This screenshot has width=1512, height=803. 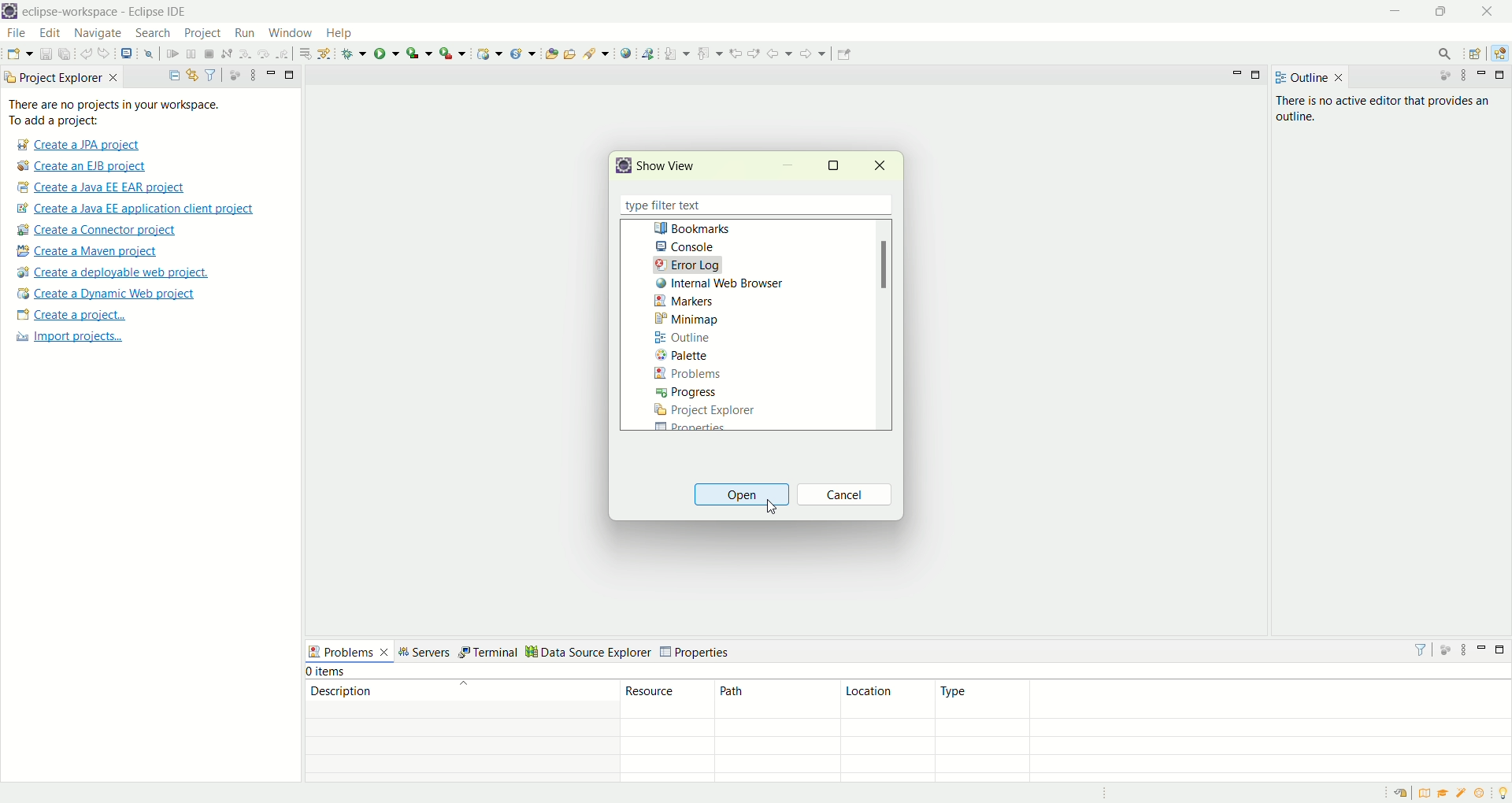 What do you see at coordinates (18, 54) in the screenshot?
I see `new` at bounding box center [18, 54].